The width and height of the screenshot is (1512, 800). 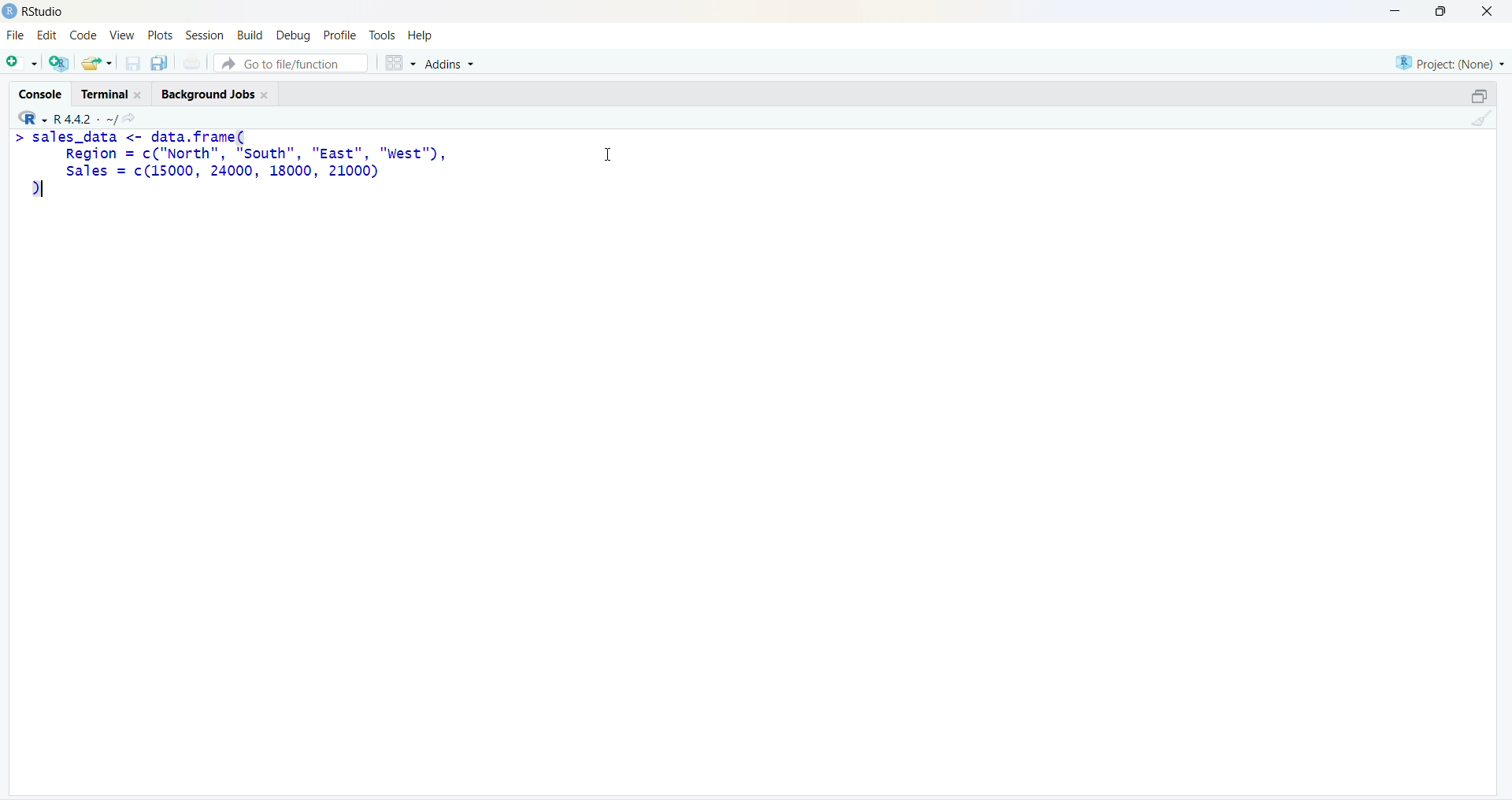 I want to click on close, so click(x=1493, y=12).